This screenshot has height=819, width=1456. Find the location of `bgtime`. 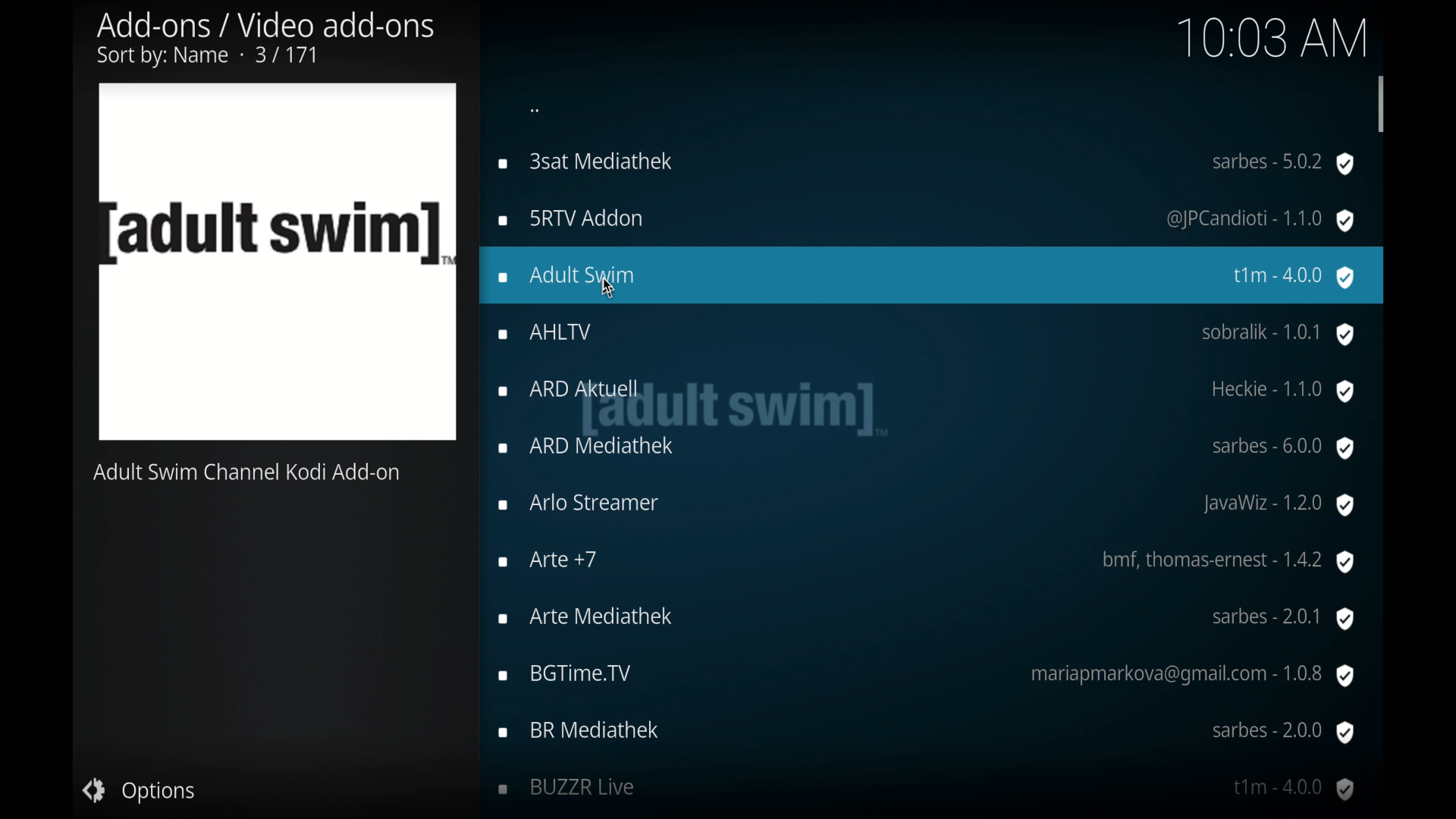

bgtime is located at coordinates (925, 676).